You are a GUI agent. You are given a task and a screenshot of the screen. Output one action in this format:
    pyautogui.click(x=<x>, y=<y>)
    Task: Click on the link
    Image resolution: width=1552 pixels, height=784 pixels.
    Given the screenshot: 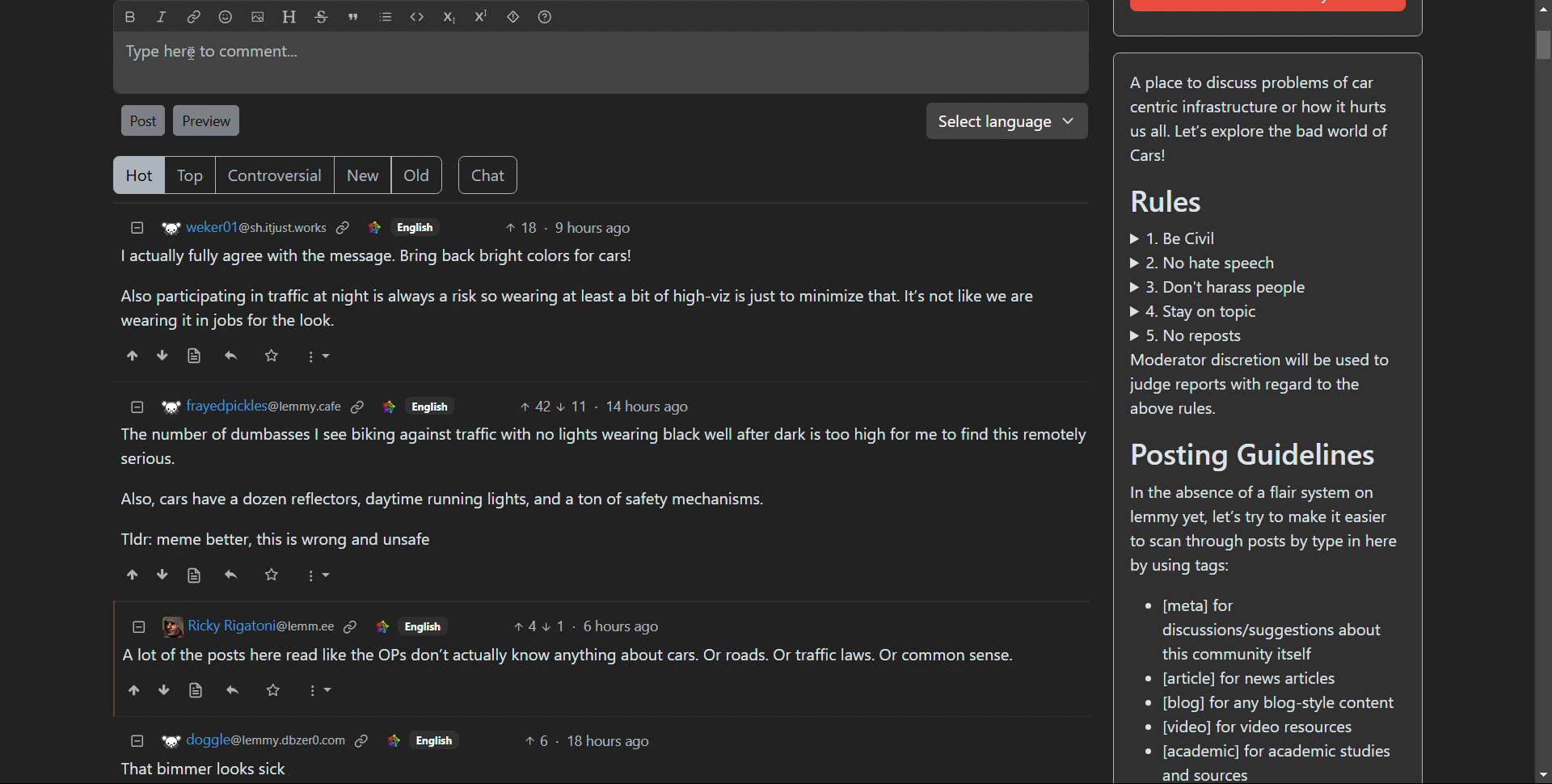 What is the action you would take?
    pyautogui.click(x=350, y=626)
    